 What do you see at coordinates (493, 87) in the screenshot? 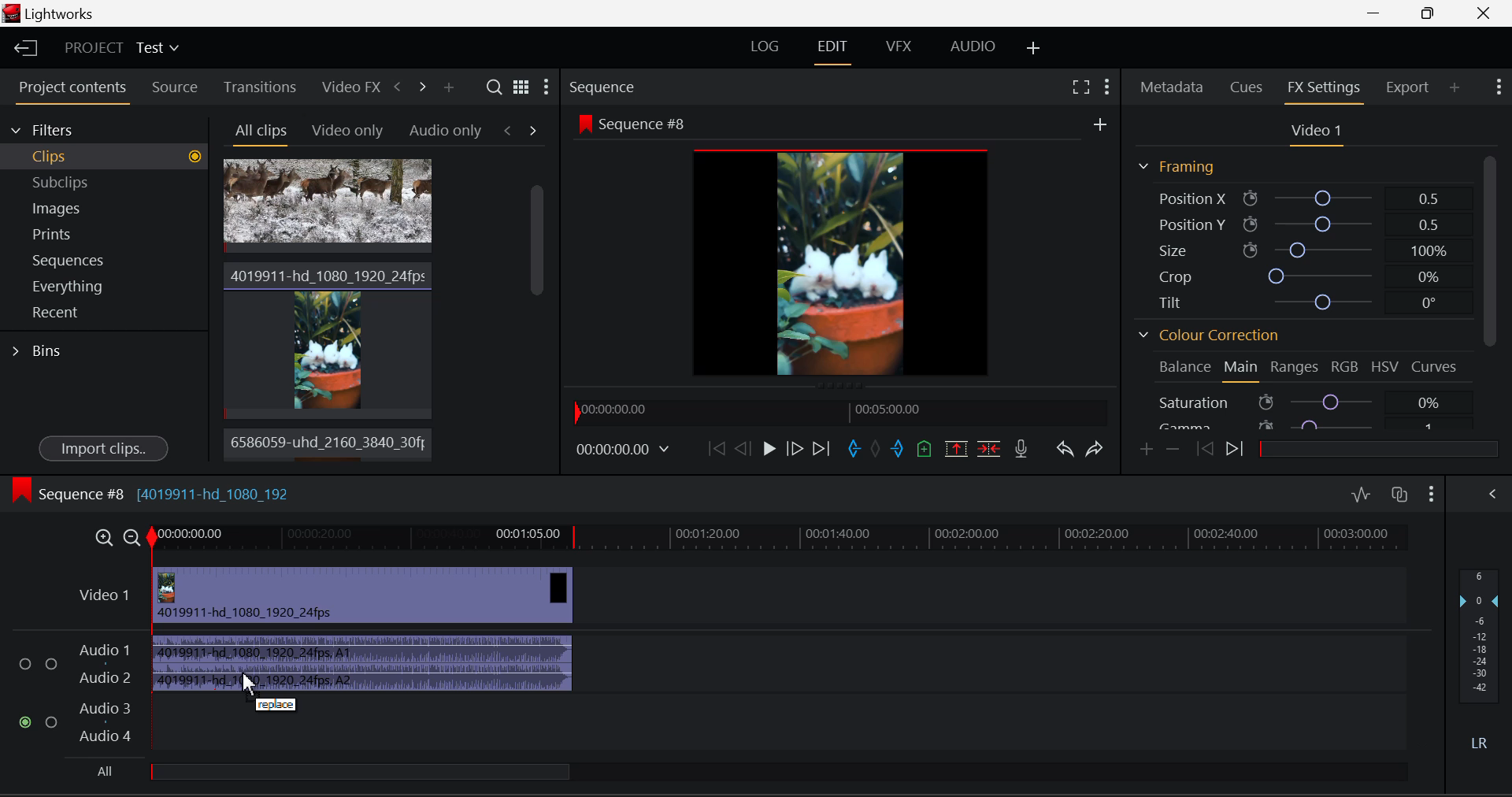
I see `Search` at bounding box center [493, 87].